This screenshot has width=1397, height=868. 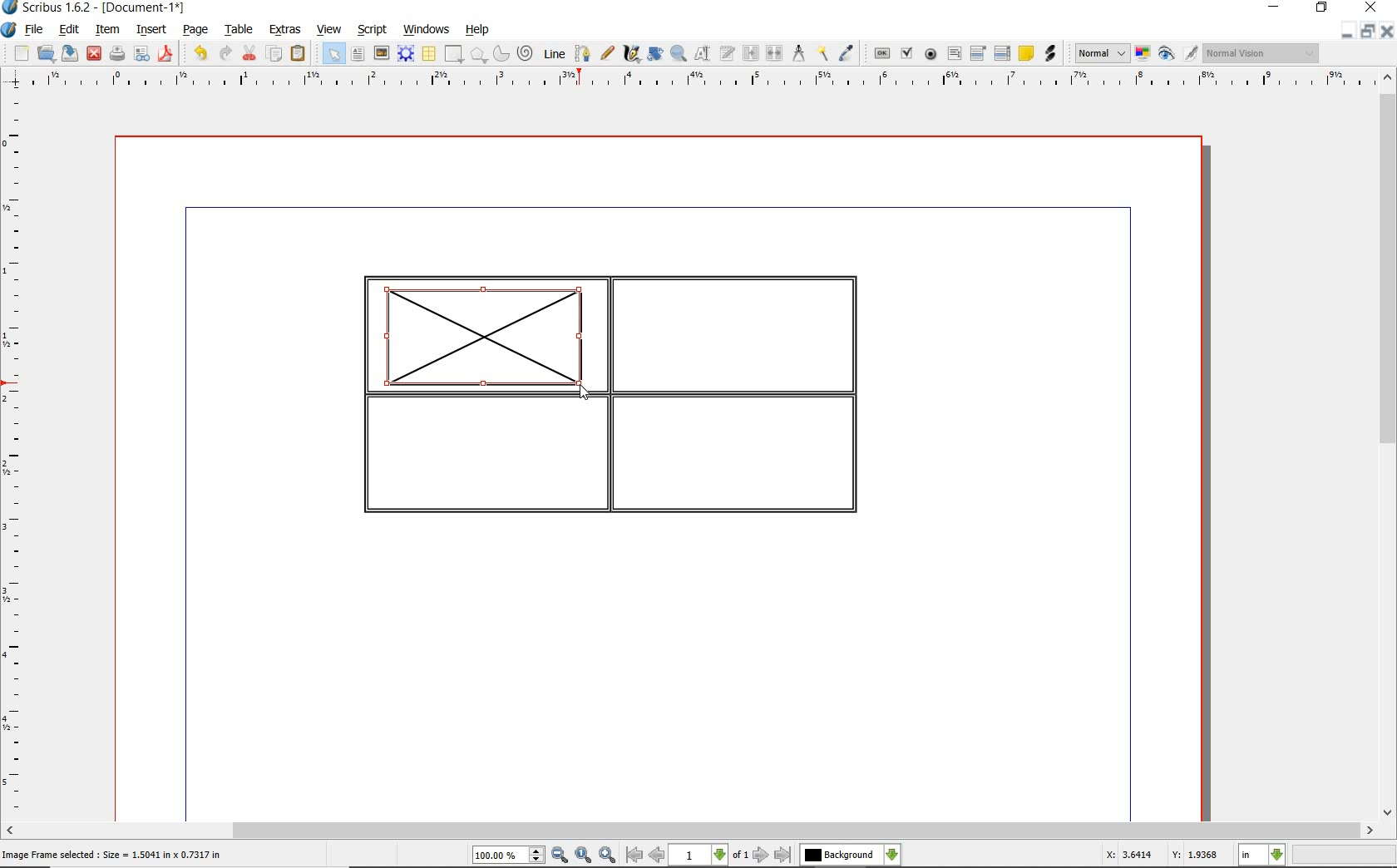 What do you see at coordinates (850, 855) in the screenshot?
I see `select the current layer` at bounding box center [850, 855].